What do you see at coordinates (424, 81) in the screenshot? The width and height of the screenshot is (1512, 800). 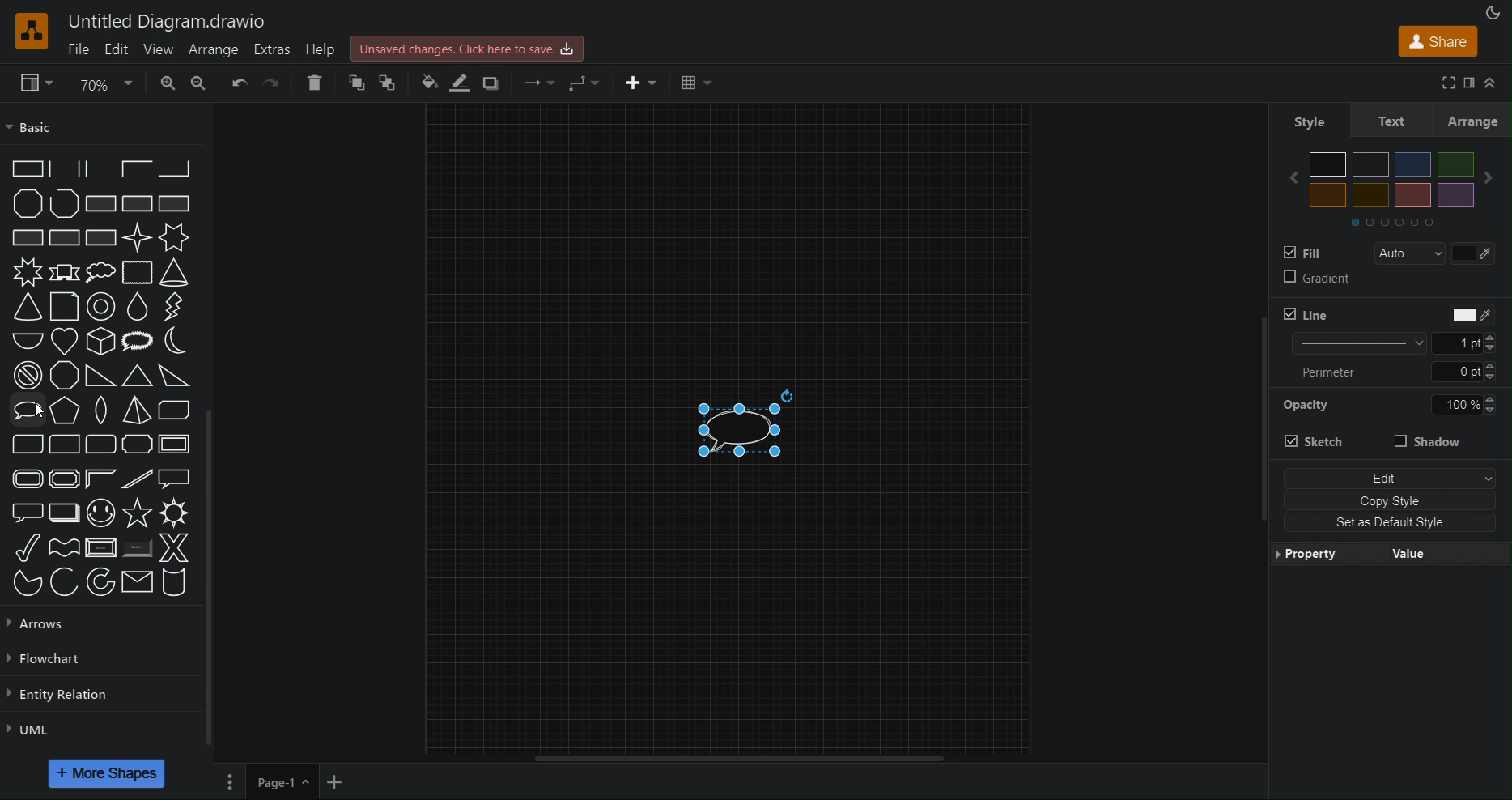 I see `Fill Color` at bounding box center [424, 81].